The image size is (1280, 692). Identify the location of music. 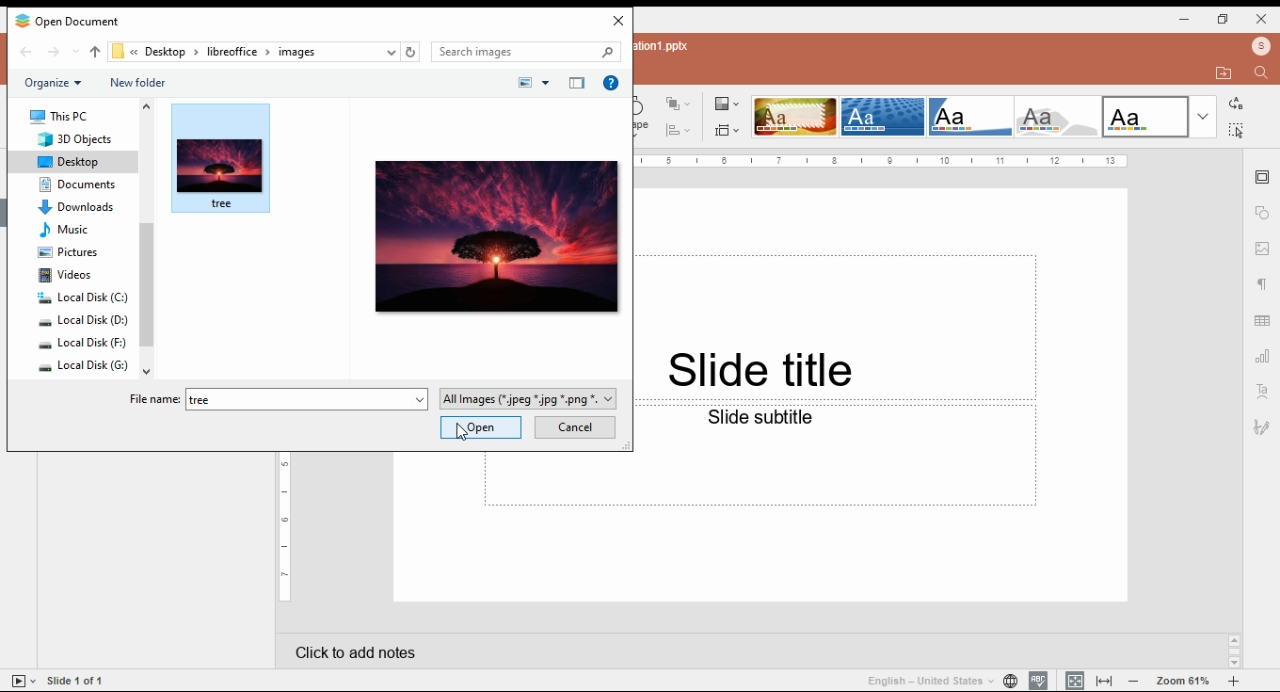
(70, 229).